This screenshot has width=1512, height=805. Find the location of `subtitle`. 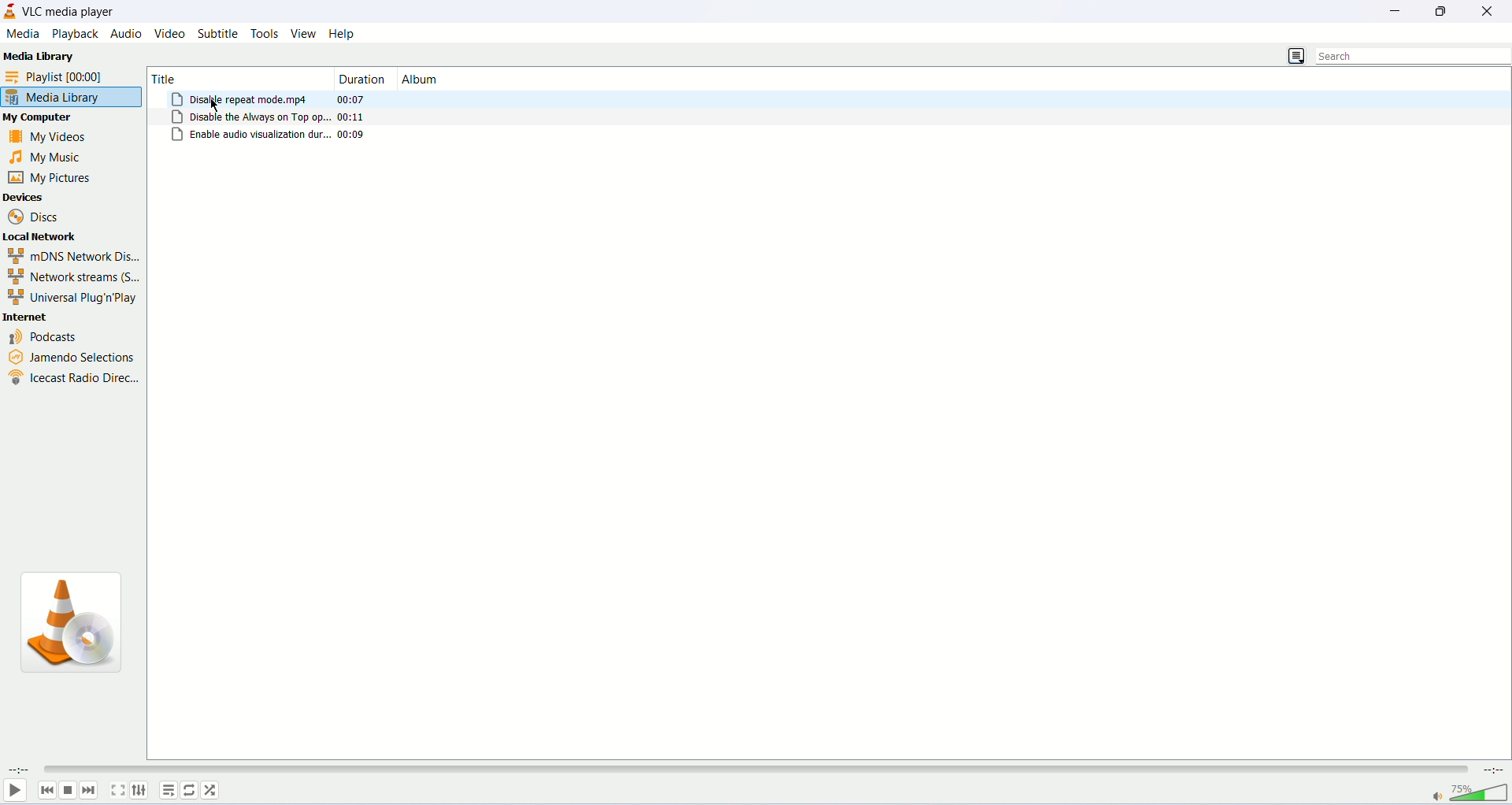

subtitle is located at coordinates (220, 33).